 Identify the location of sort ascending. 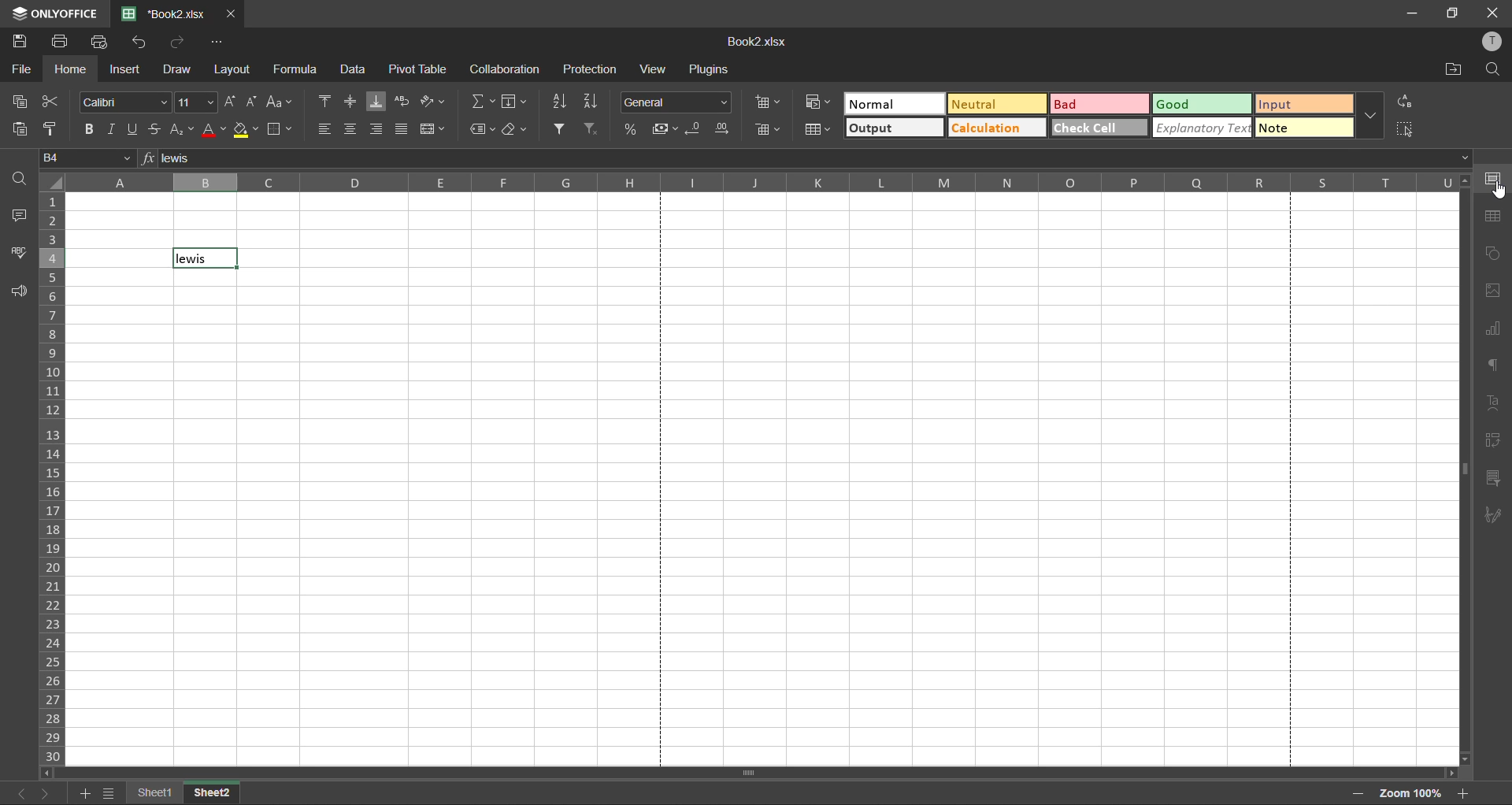
(557, 99).